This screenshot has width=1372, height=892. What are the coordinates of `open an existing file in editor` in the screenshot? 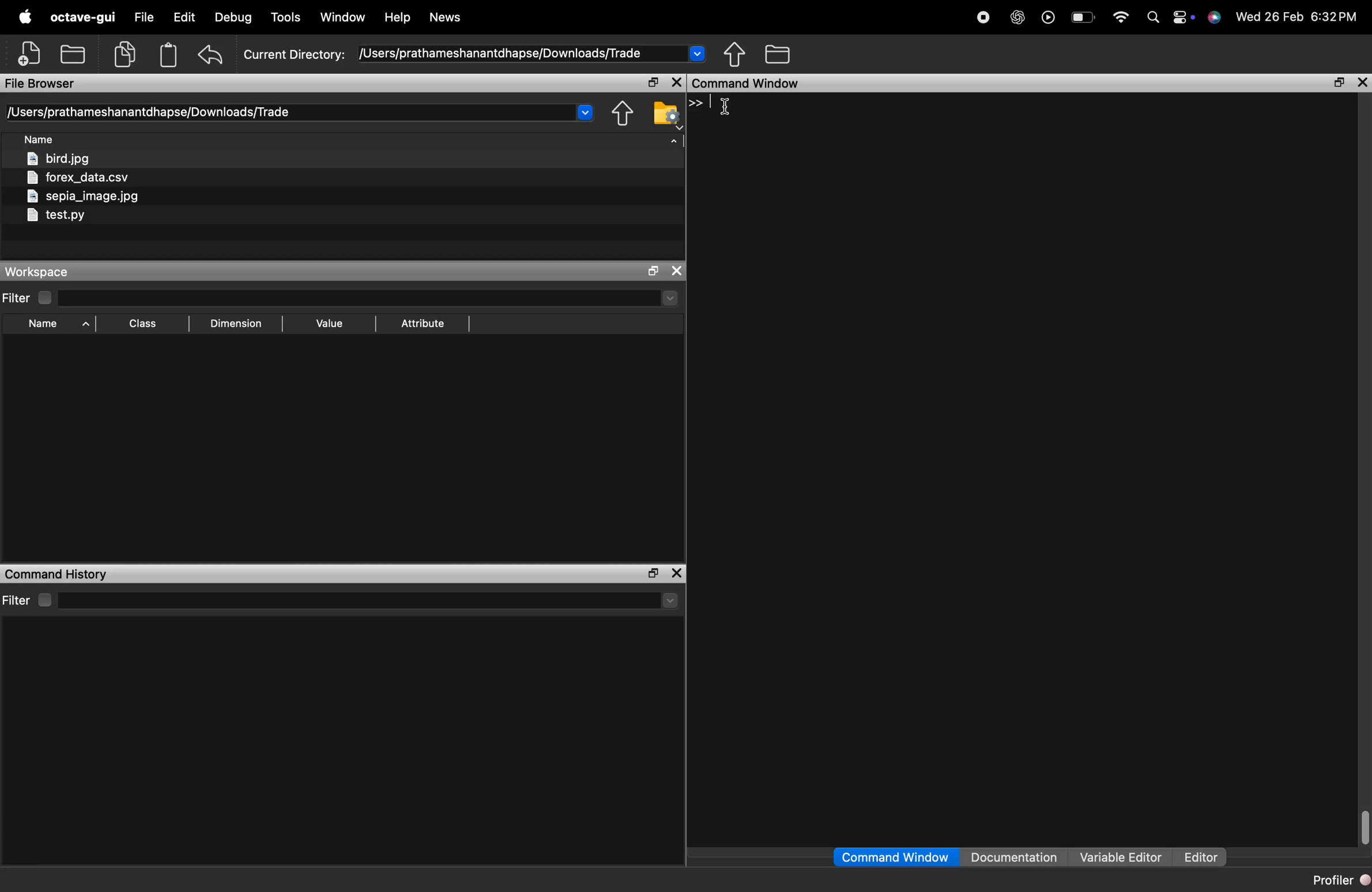 It's located at (74, 52).